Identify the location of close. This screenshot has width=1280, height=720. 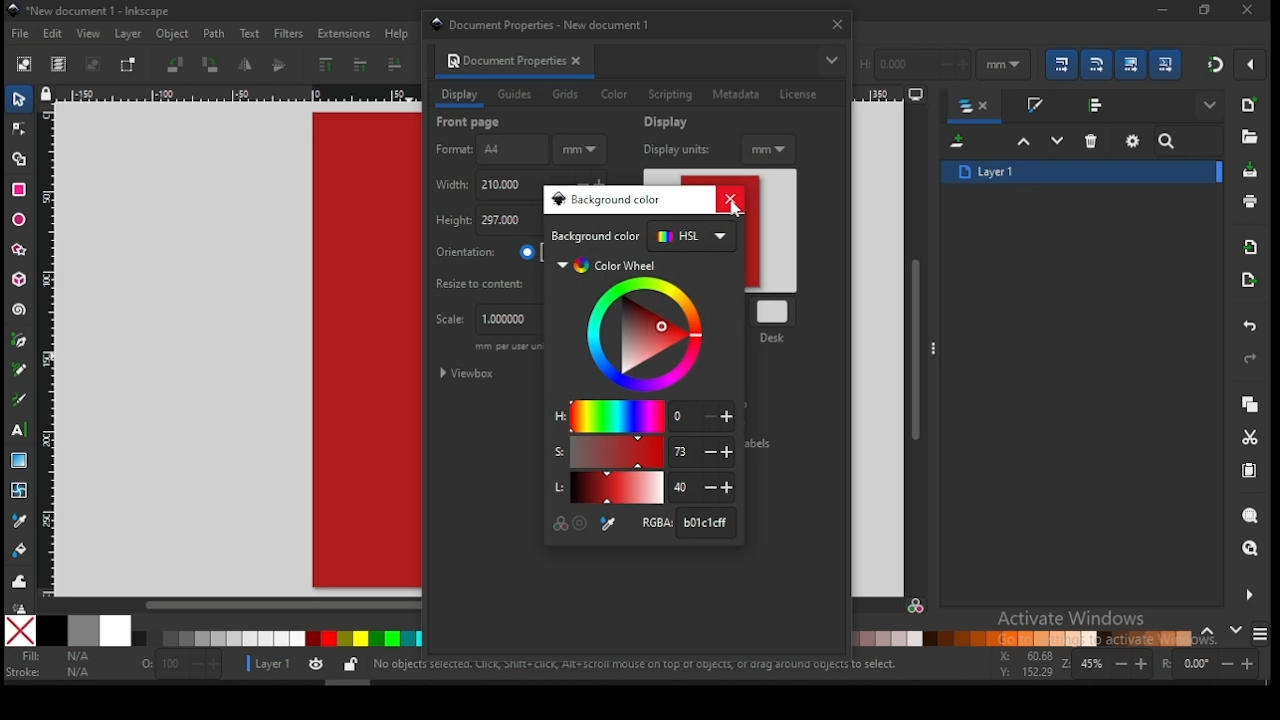
(580, 61).